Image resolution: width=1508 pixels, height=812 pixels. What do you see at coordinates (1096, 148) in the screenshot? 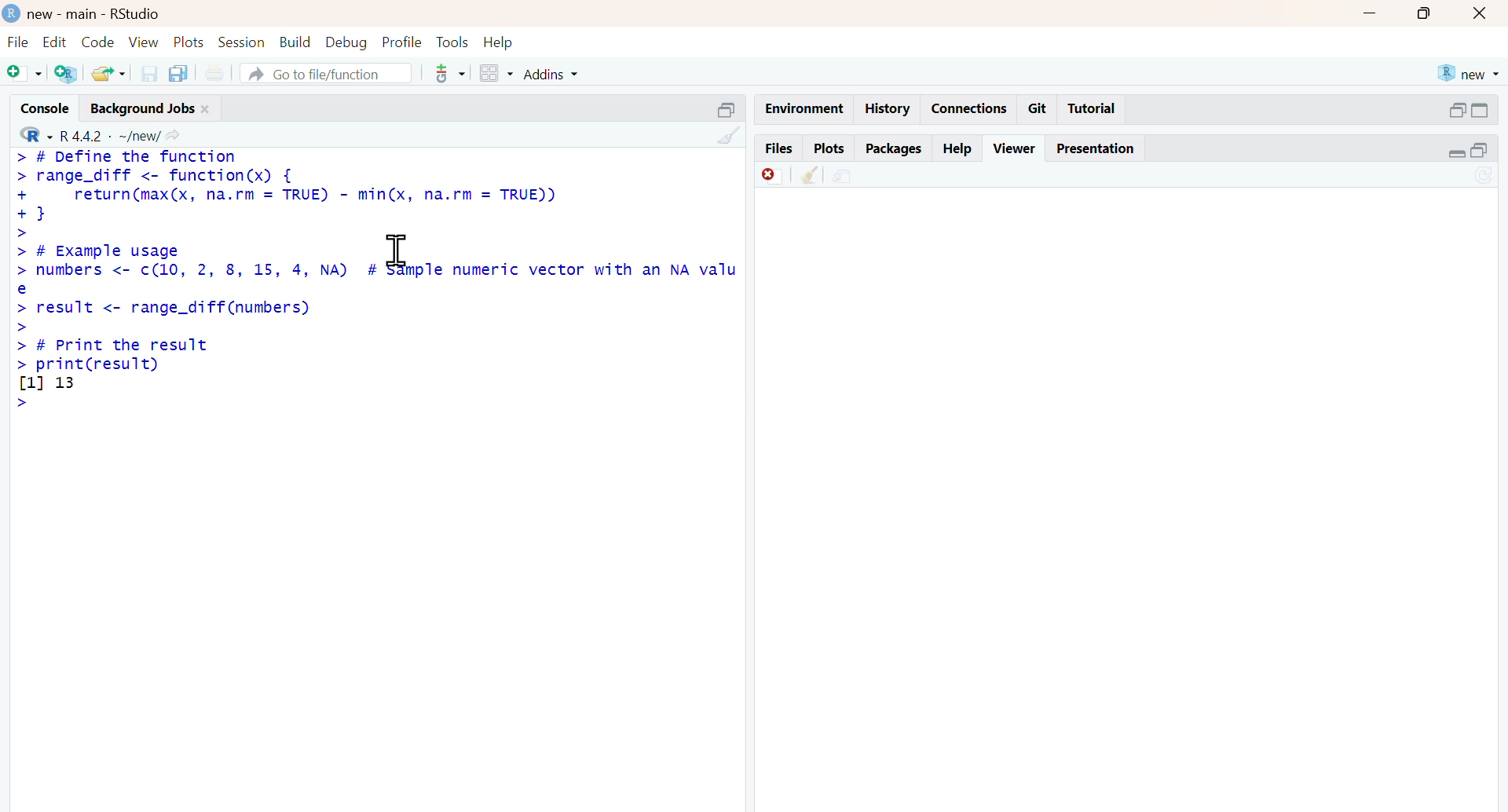
I see `Presentation` at bounding box center [1096, 148].